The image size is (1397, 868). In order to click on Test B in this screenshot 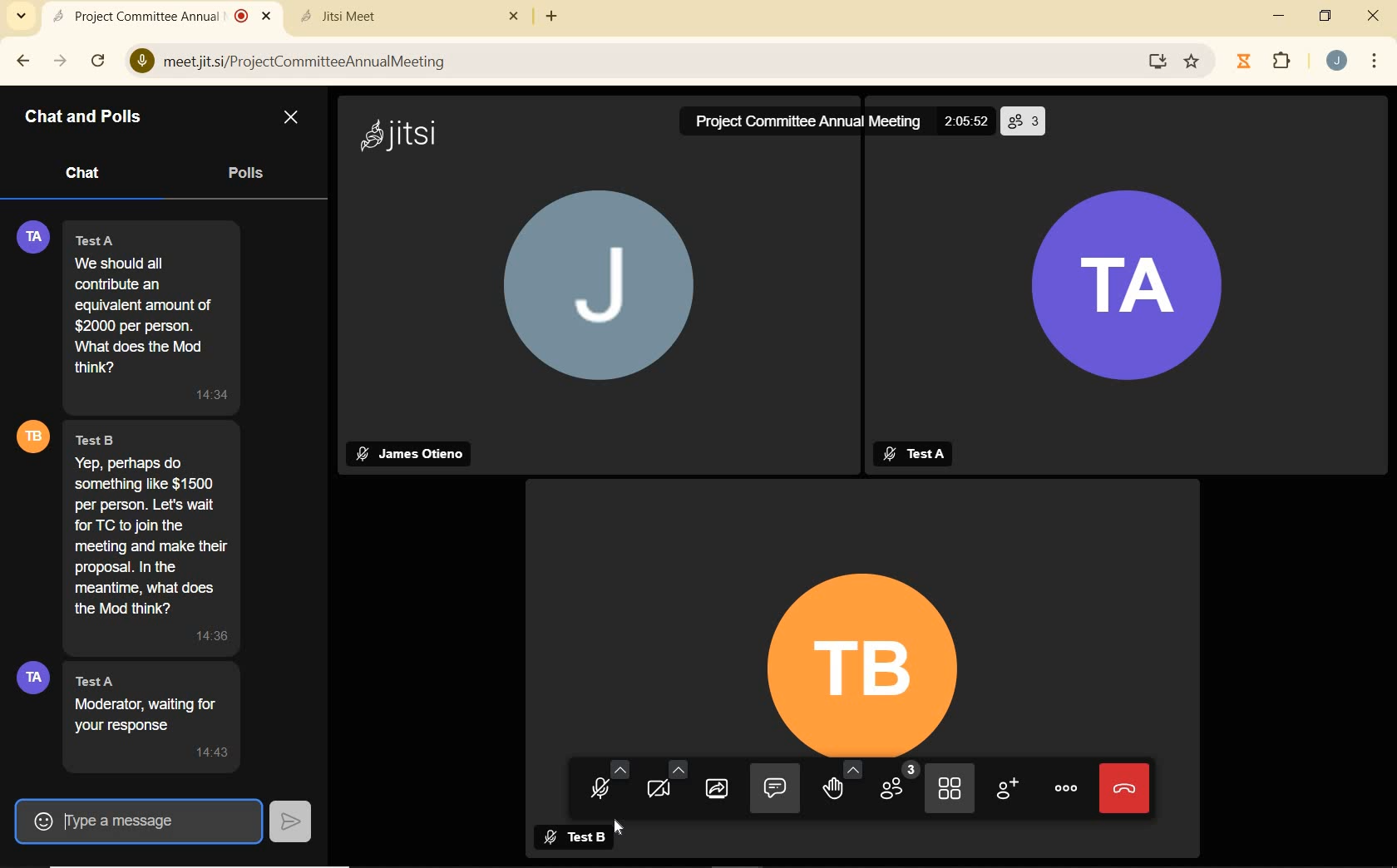, I will do `click(588, 840)`.